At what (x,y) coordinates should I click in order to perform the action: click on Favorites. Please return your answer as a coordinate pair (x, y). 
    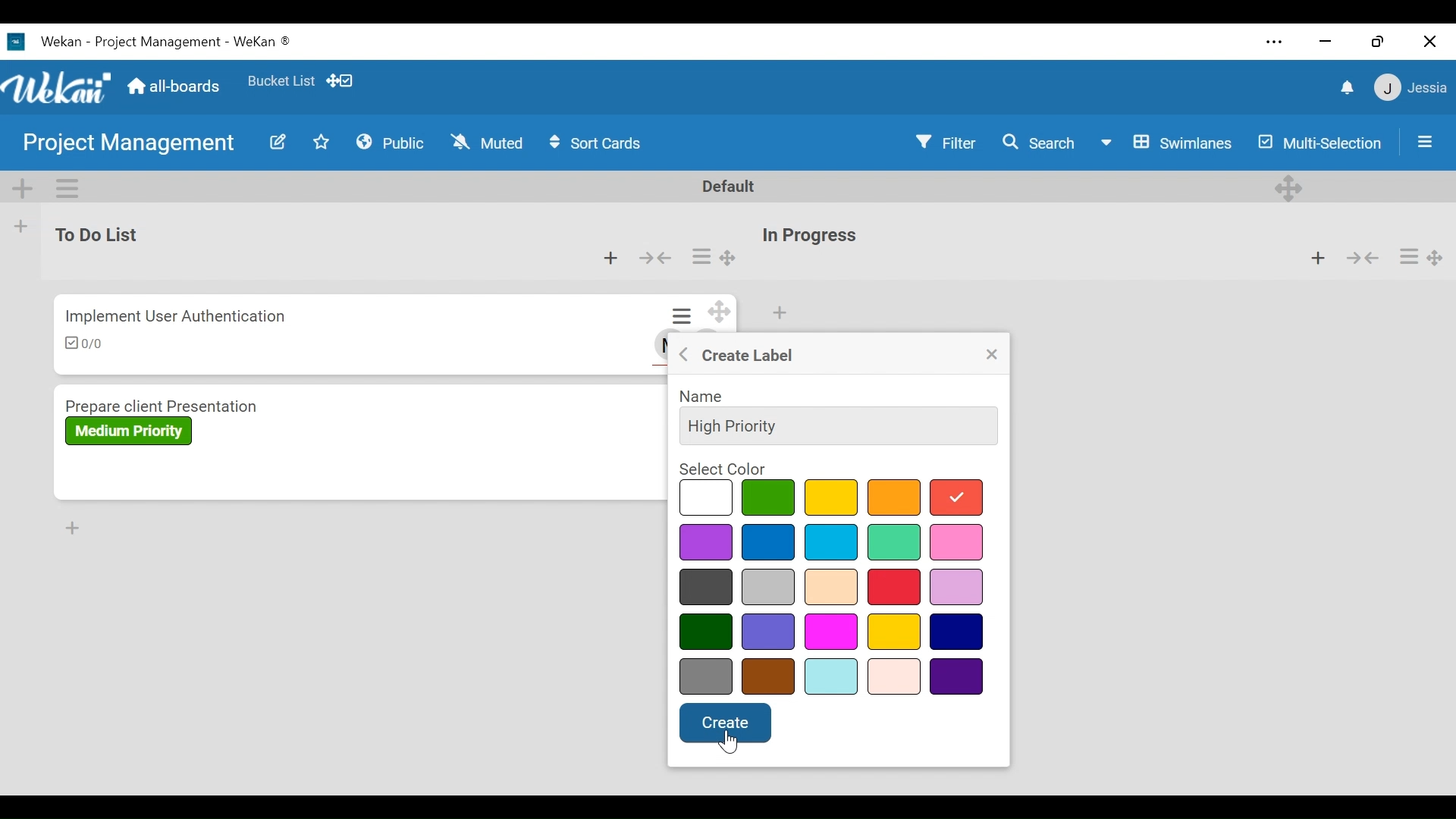
    Looking at the image, I should click on (322, 141).